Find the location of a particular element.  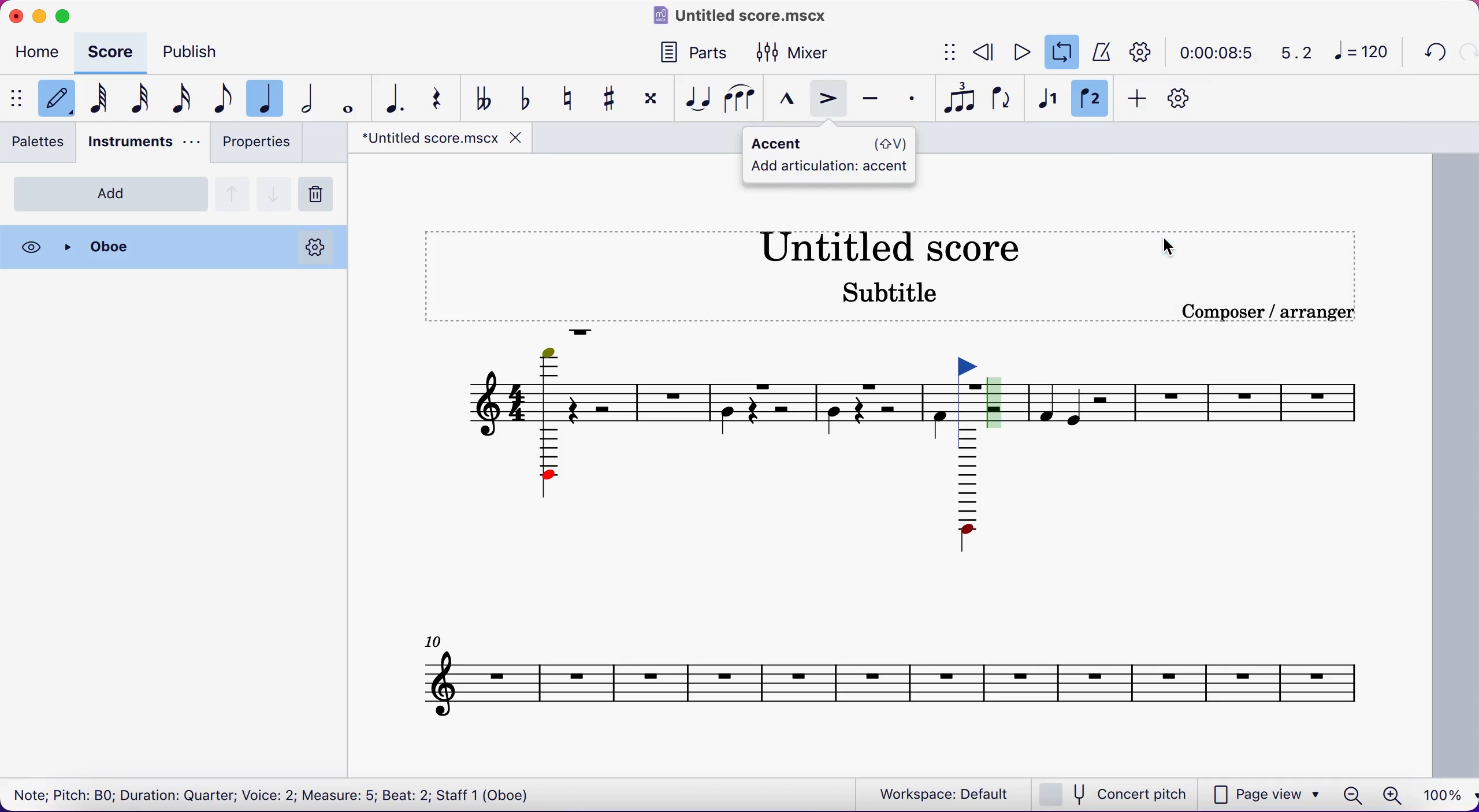

remove is located at coordinates (320, 195).